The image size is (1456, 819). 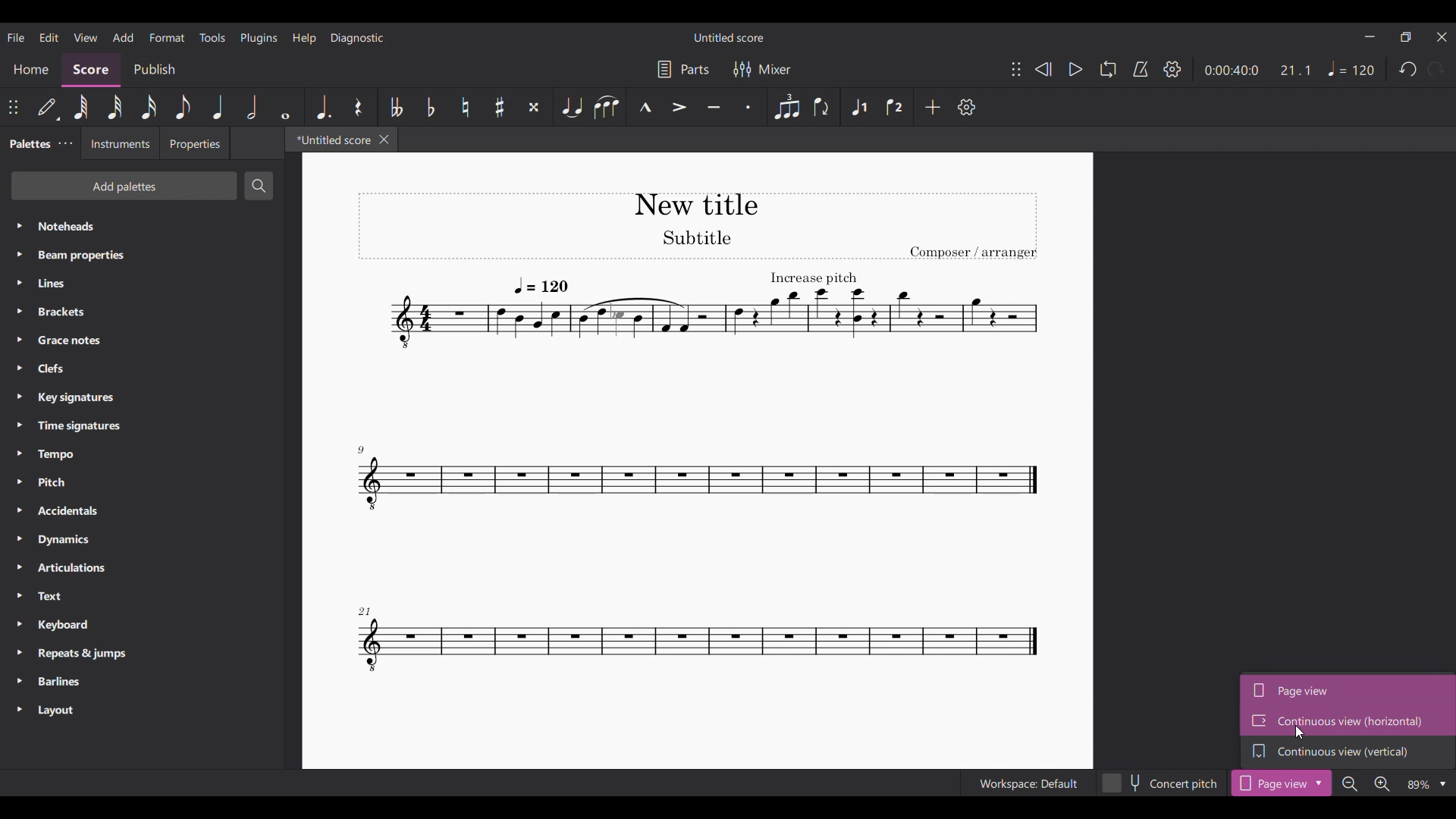 I want to click on Tuplet, so click(x=786, y=107).